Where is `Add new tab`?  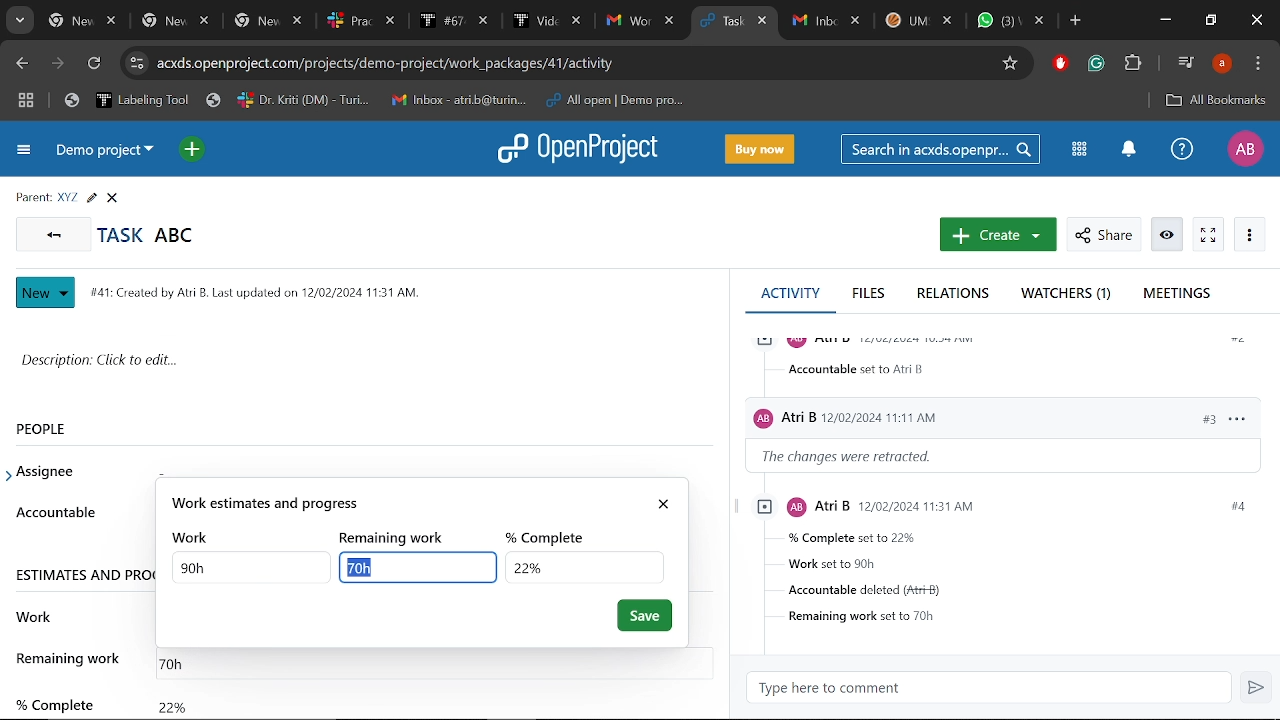 Add new tab is located at coordinates (1075, 22).